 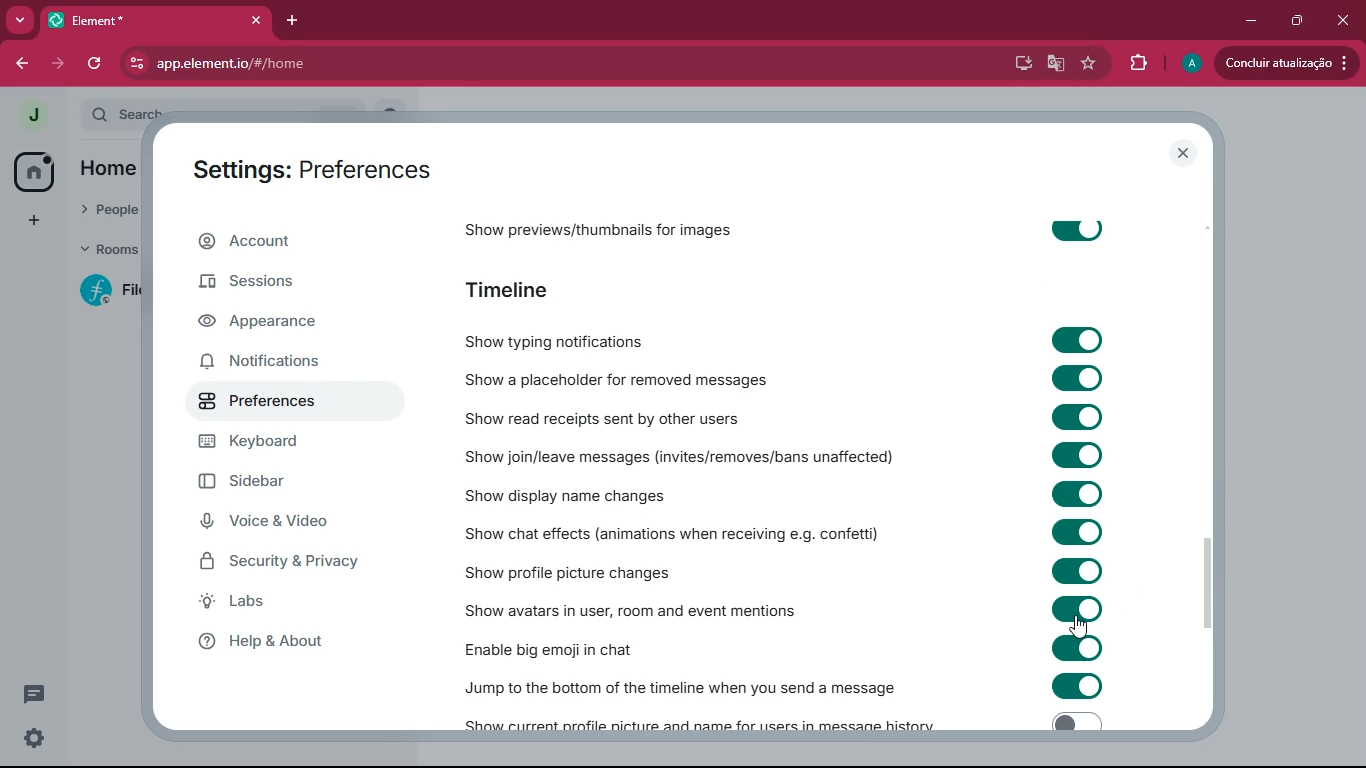 What do you see at coordinates (251, 20) in the screenshot?
I see `close` at bounding box center [251, 20].